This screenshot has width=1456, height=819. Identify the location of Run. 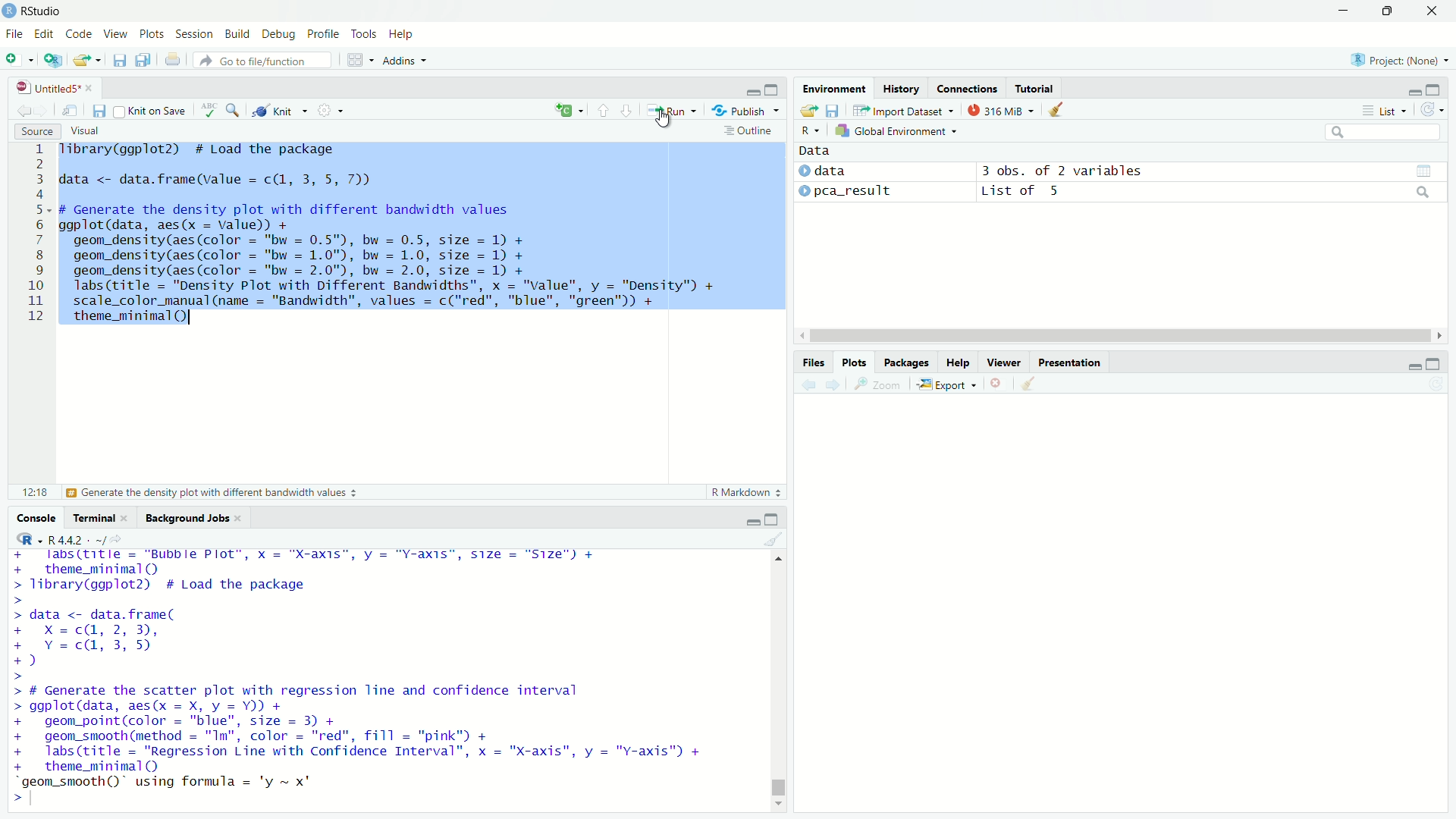
(671, 110).